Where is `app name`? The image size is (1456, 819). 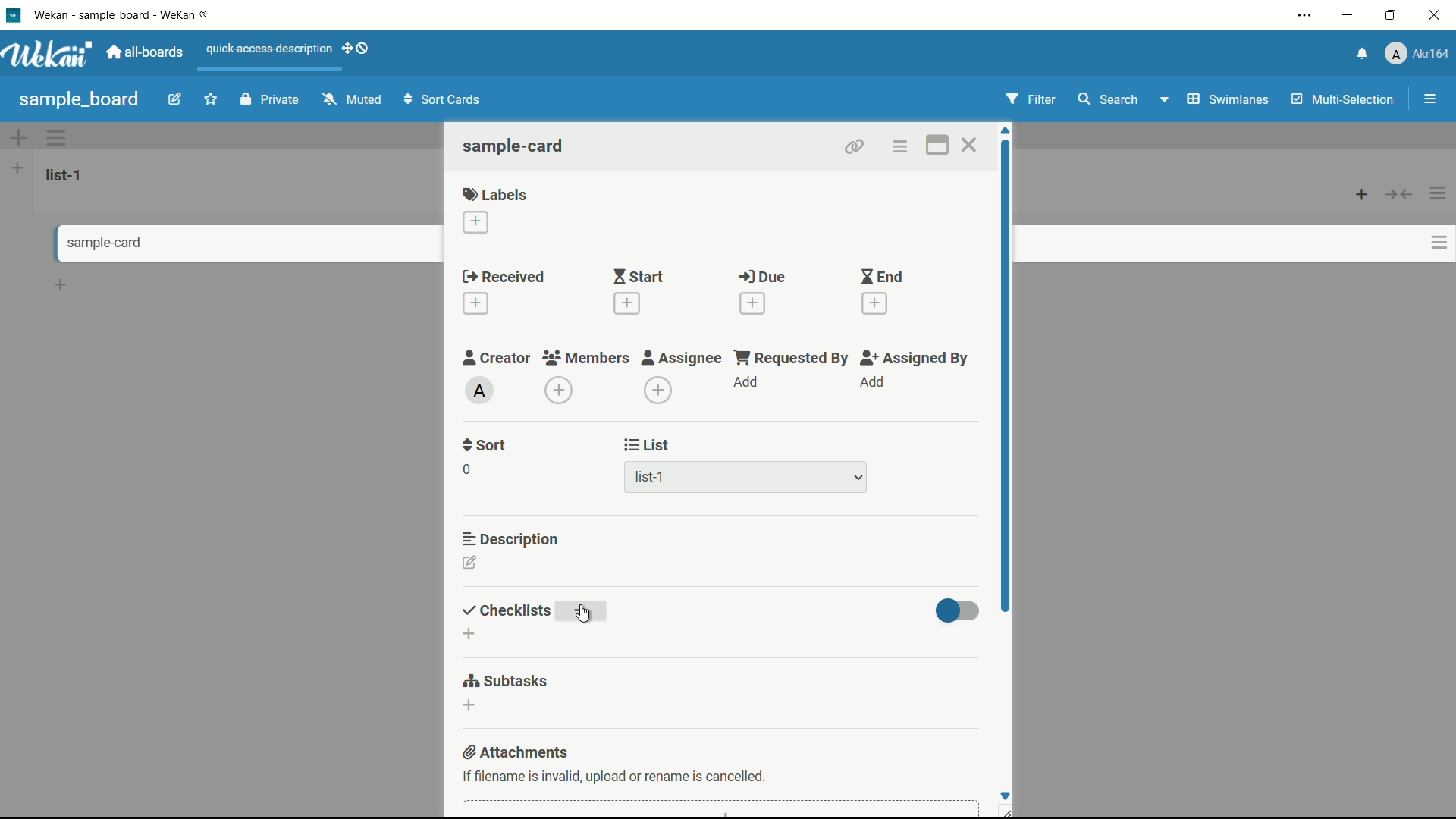
app name is located at coordinates (124, 14).